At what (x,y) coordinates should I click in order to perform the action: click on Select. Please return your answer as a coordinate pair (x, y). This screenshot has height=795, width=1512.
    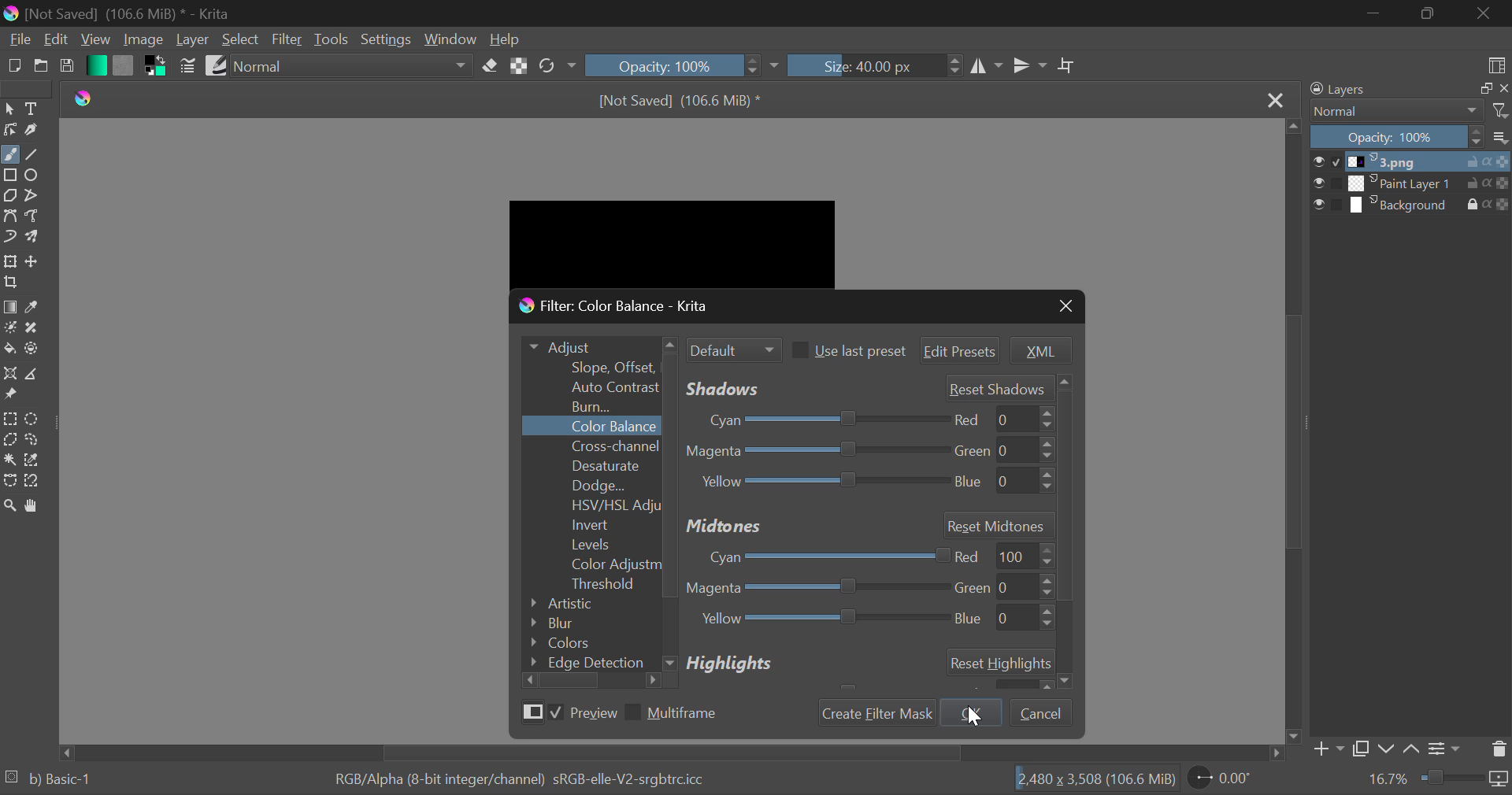
    Looking at the image, I should click on (9, 110).